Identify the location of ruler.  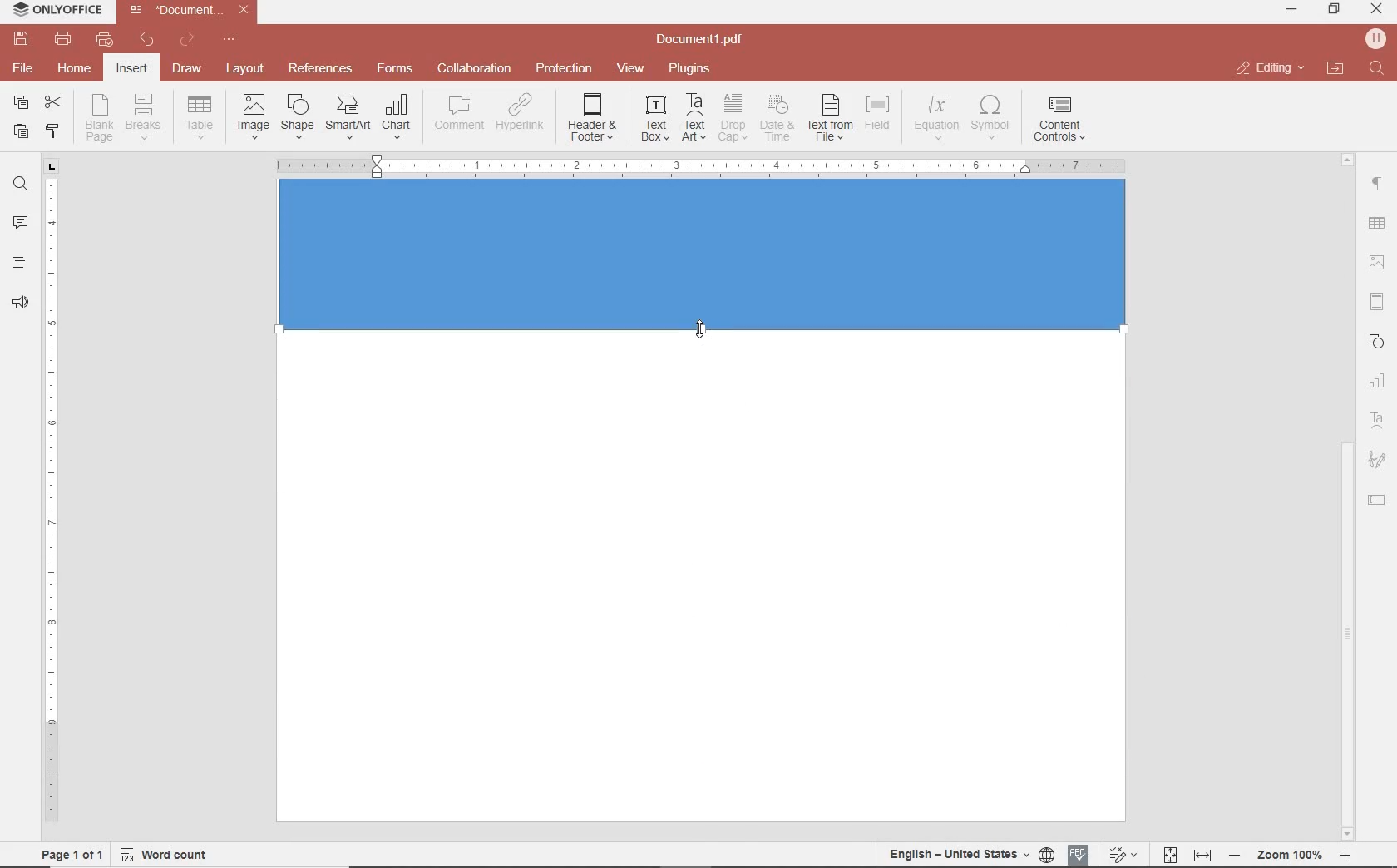
(52, 508).